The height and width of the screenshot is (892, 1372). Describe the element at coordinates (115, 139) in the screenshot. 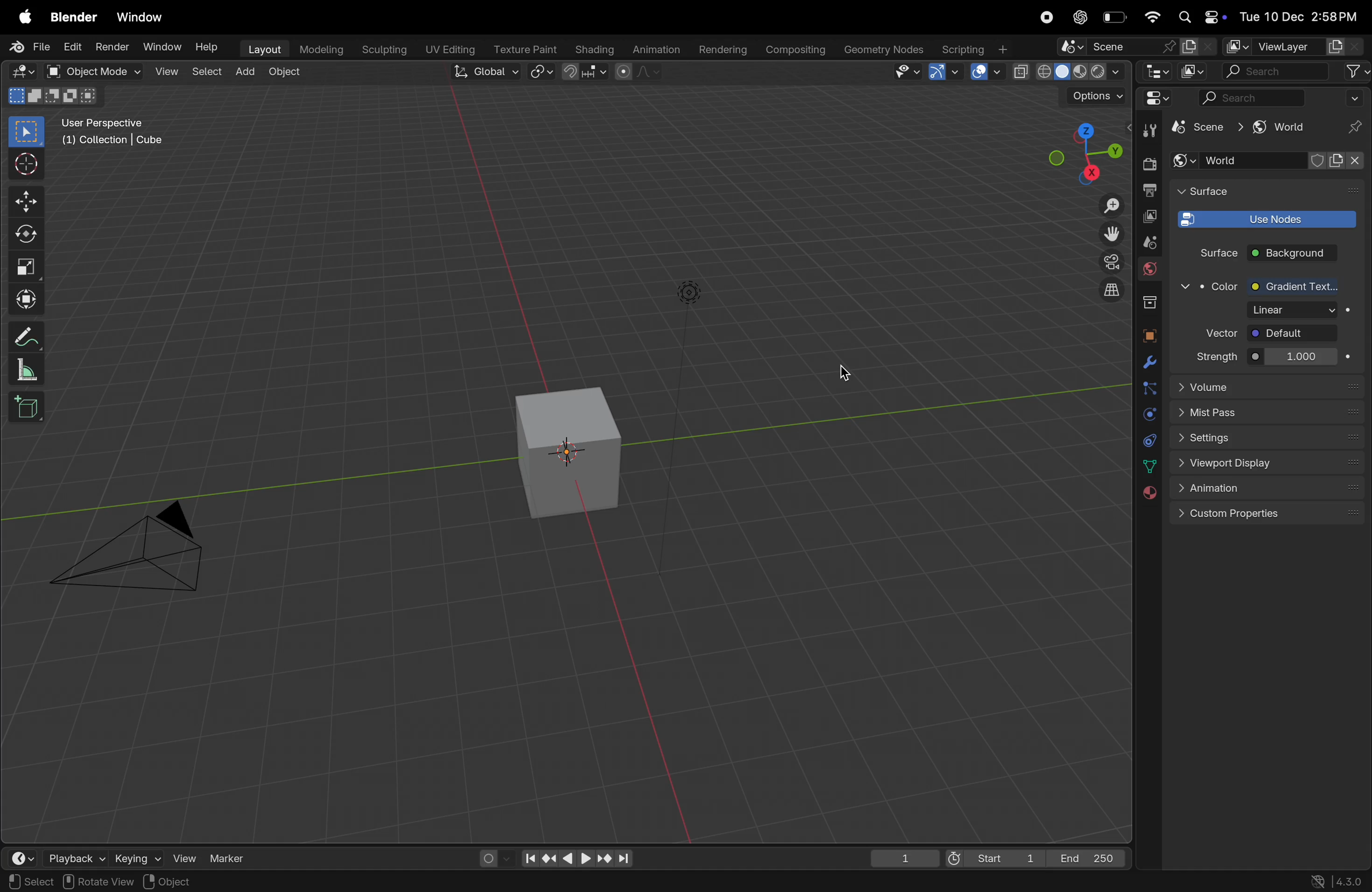

I see `User persopective` at that location.